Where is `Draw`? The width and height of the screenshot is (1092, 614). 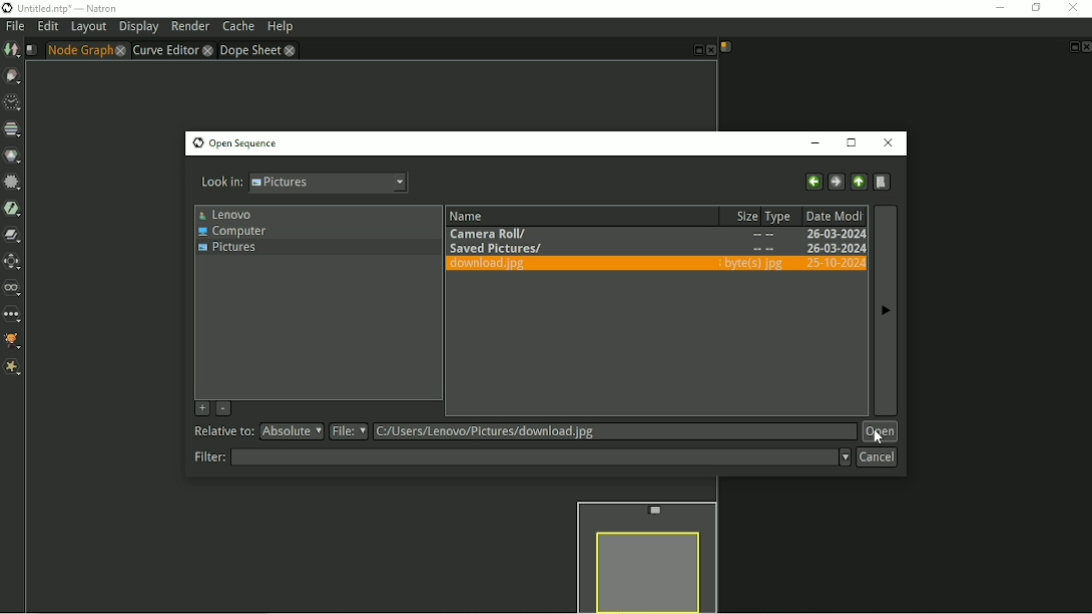
Draw is located at coordinates (13, 76).